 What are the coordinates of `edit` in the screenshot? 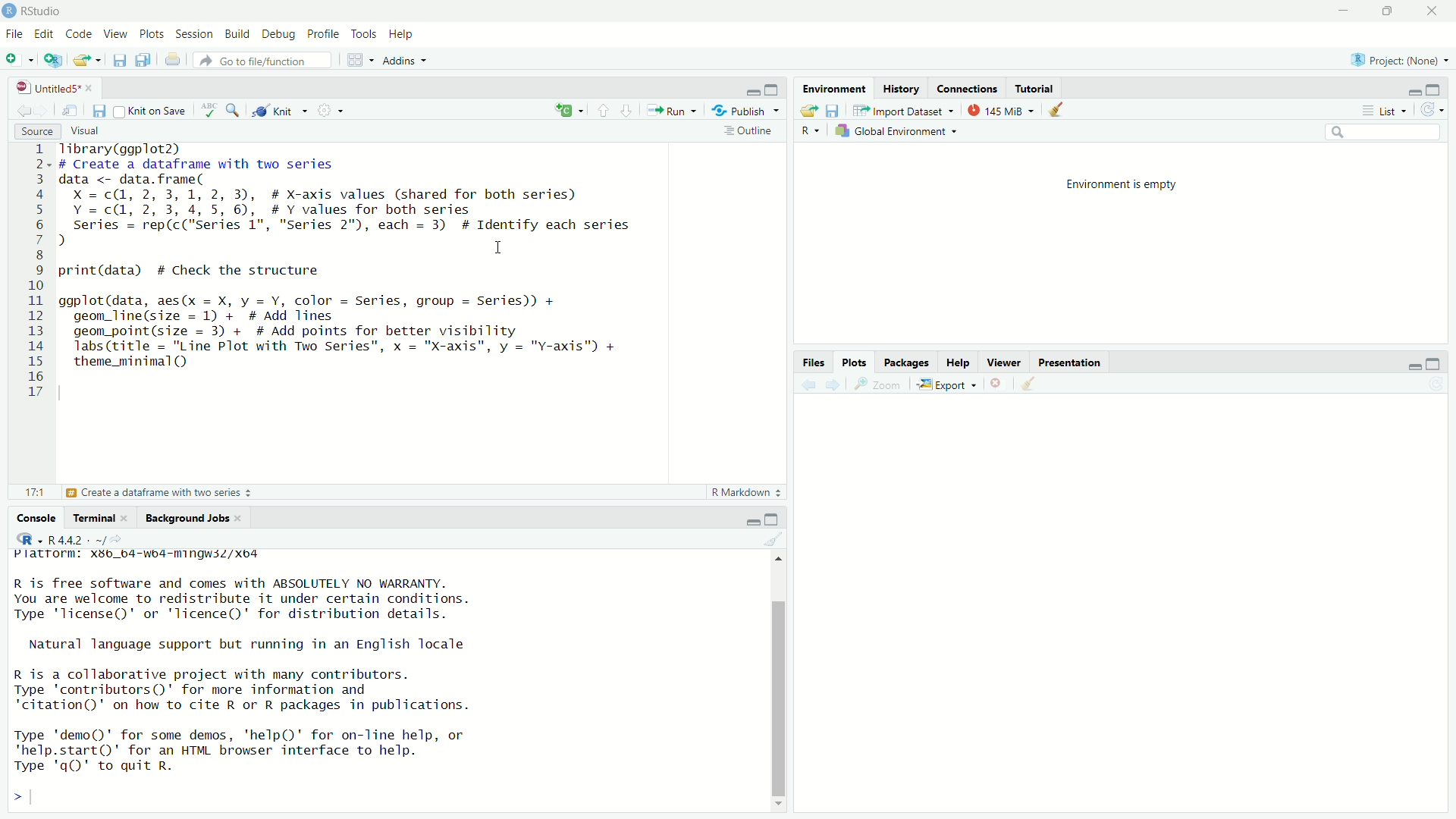 It's located at (45, 36).